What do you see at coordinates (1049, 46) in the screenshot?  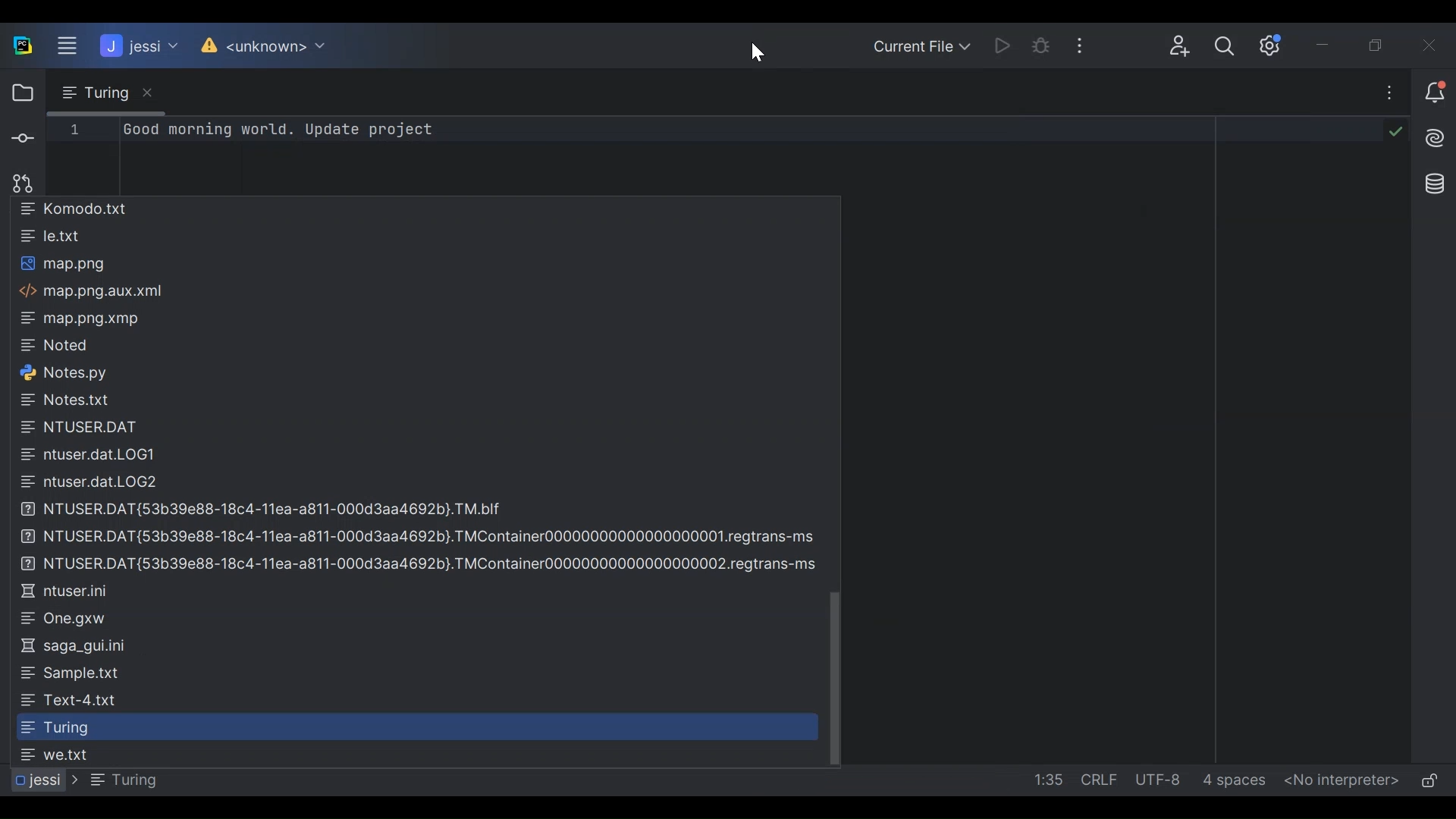 I see `Bug` at bounding box center [1049, 46].